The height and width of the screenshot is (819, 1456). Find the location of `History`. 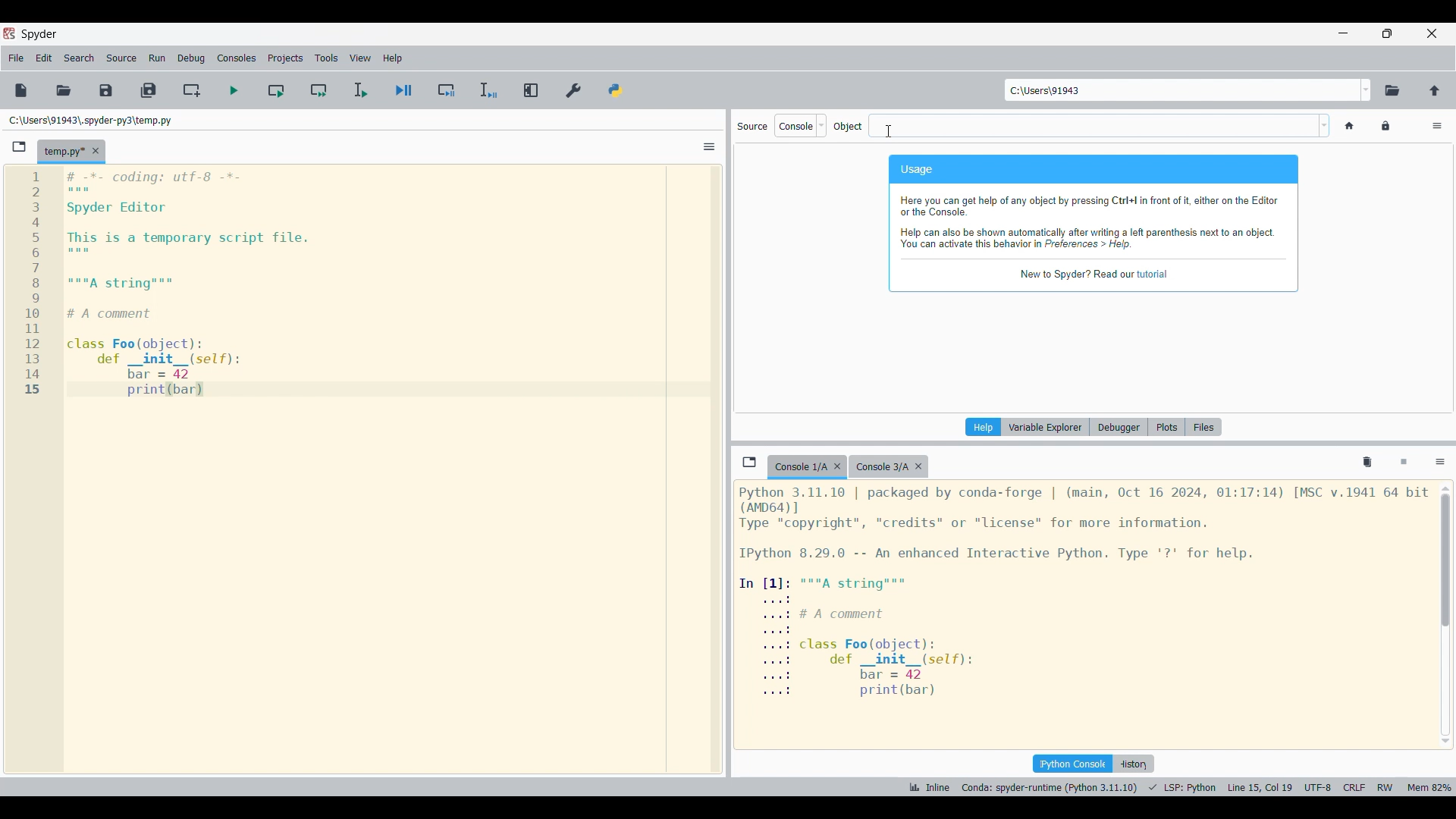

History is located at coordinates (1134, 764).